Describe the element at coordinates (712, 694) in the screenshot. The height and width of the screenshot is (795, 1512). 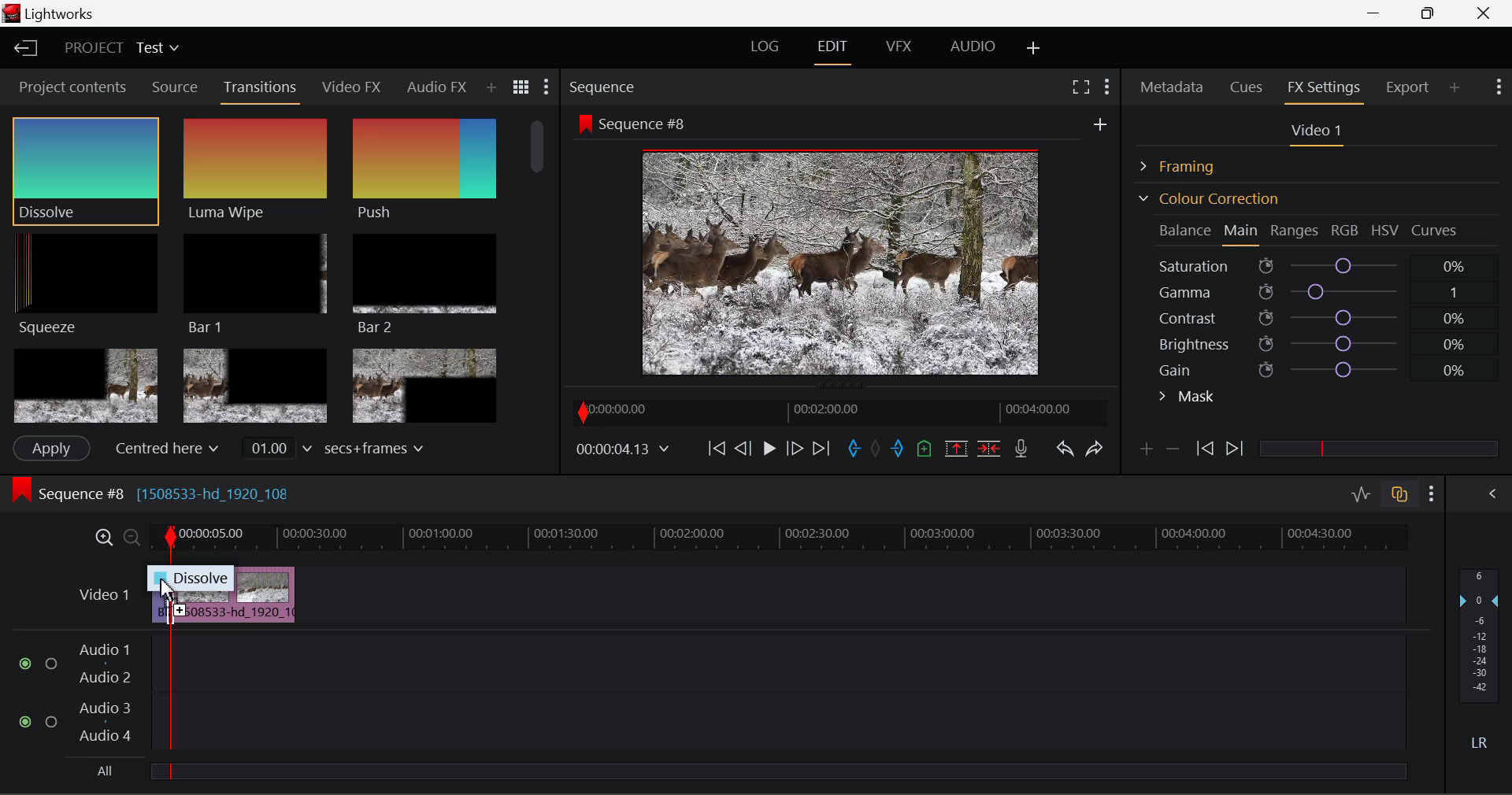
I see `Audio Input Fields` at that location.